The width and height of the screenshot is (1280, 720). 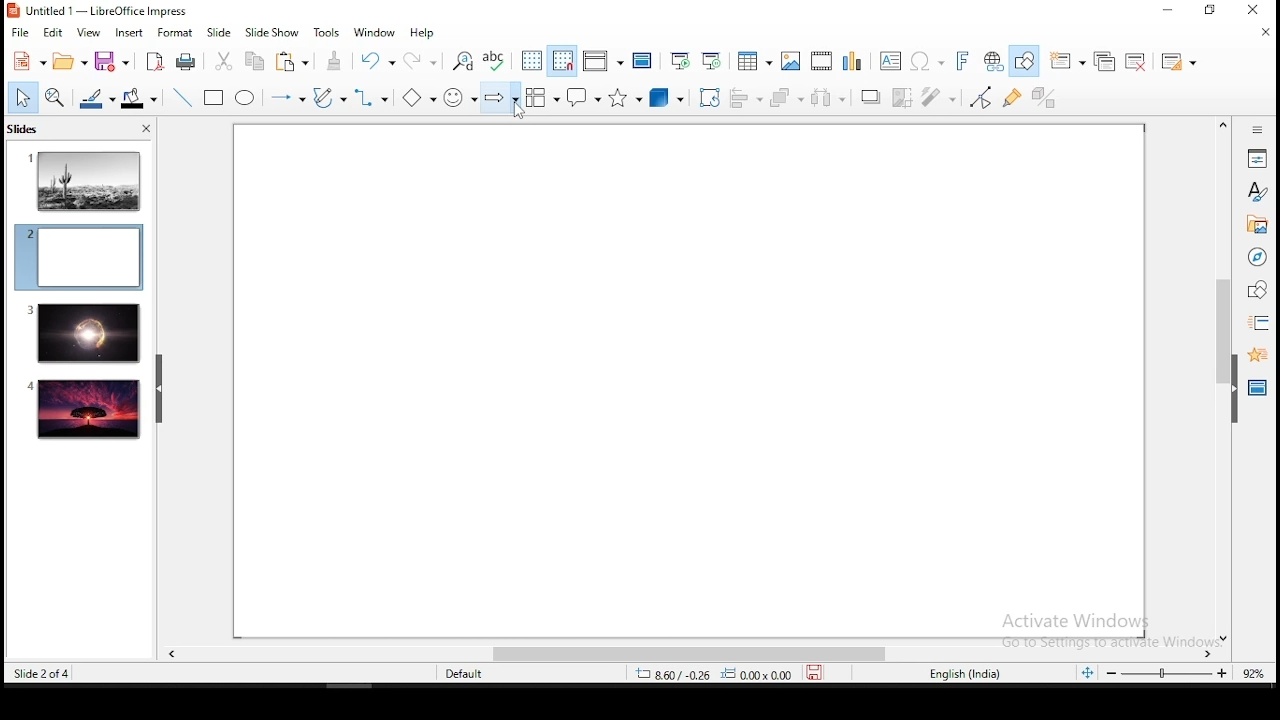 What do you see at coordinates (328, 33) in the screenshot?
I see `tools` at bounding box center [328, 33].